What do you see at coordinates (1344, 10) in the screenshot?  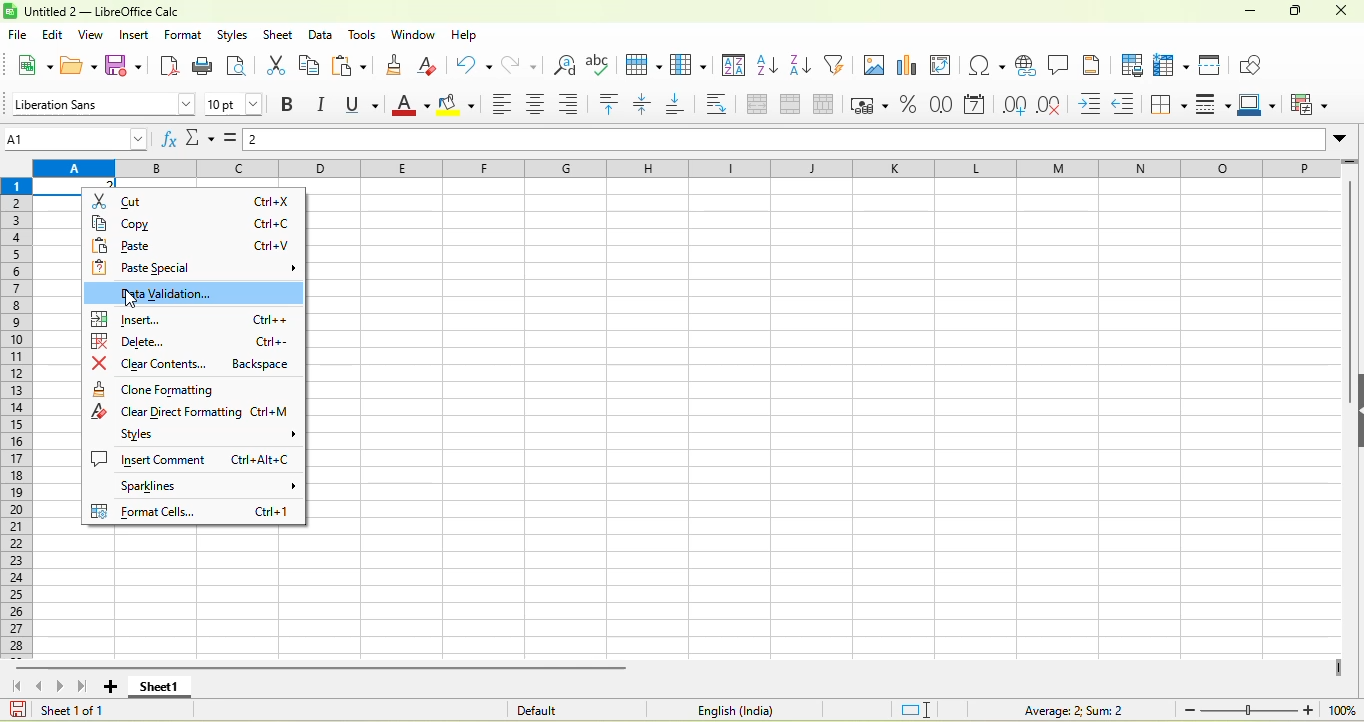 I see `close` at bounding box center [1344, 10].